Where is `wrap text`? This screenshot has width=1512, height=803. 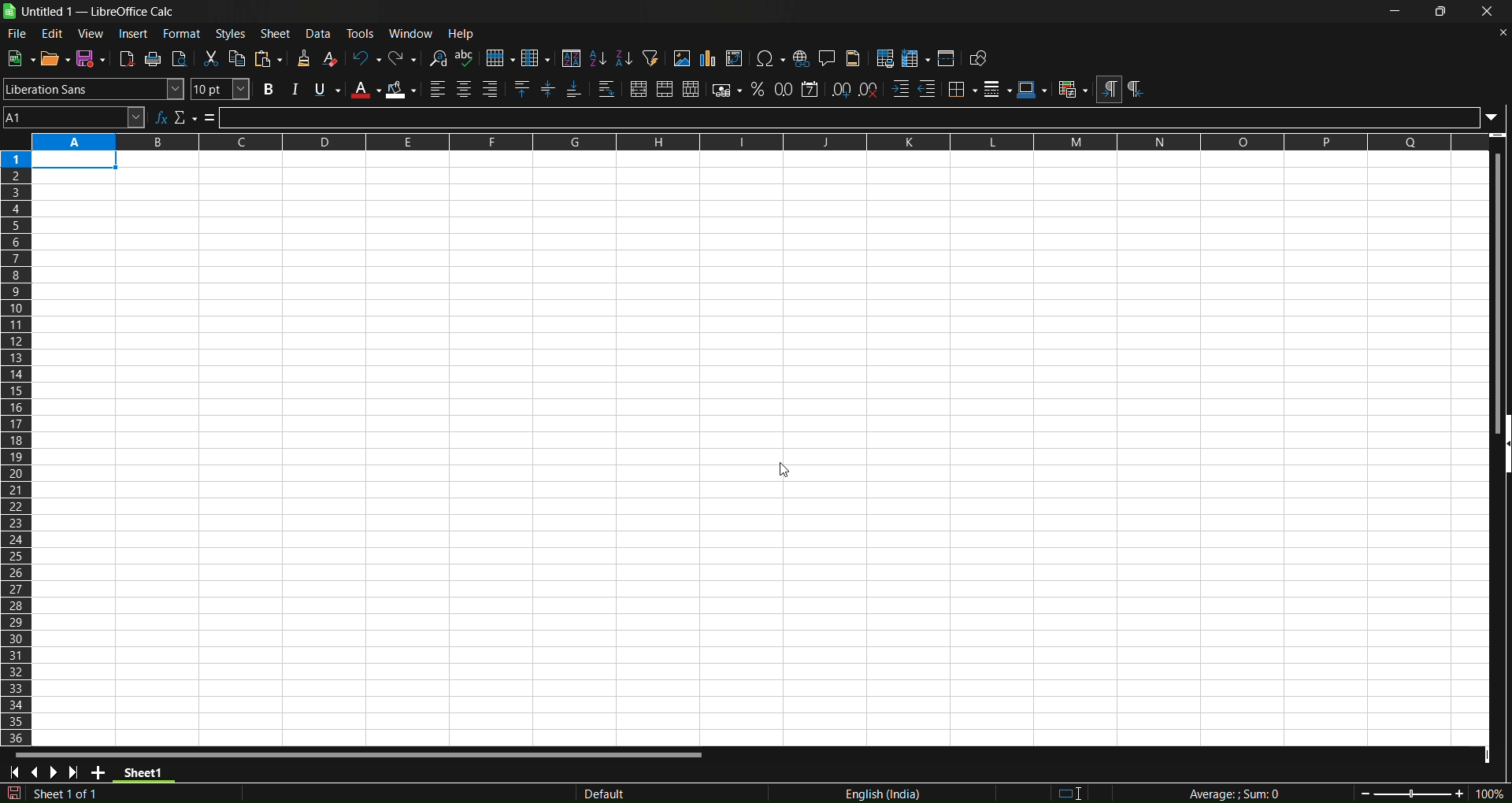 wrap text is located at coordinates (607, 91).